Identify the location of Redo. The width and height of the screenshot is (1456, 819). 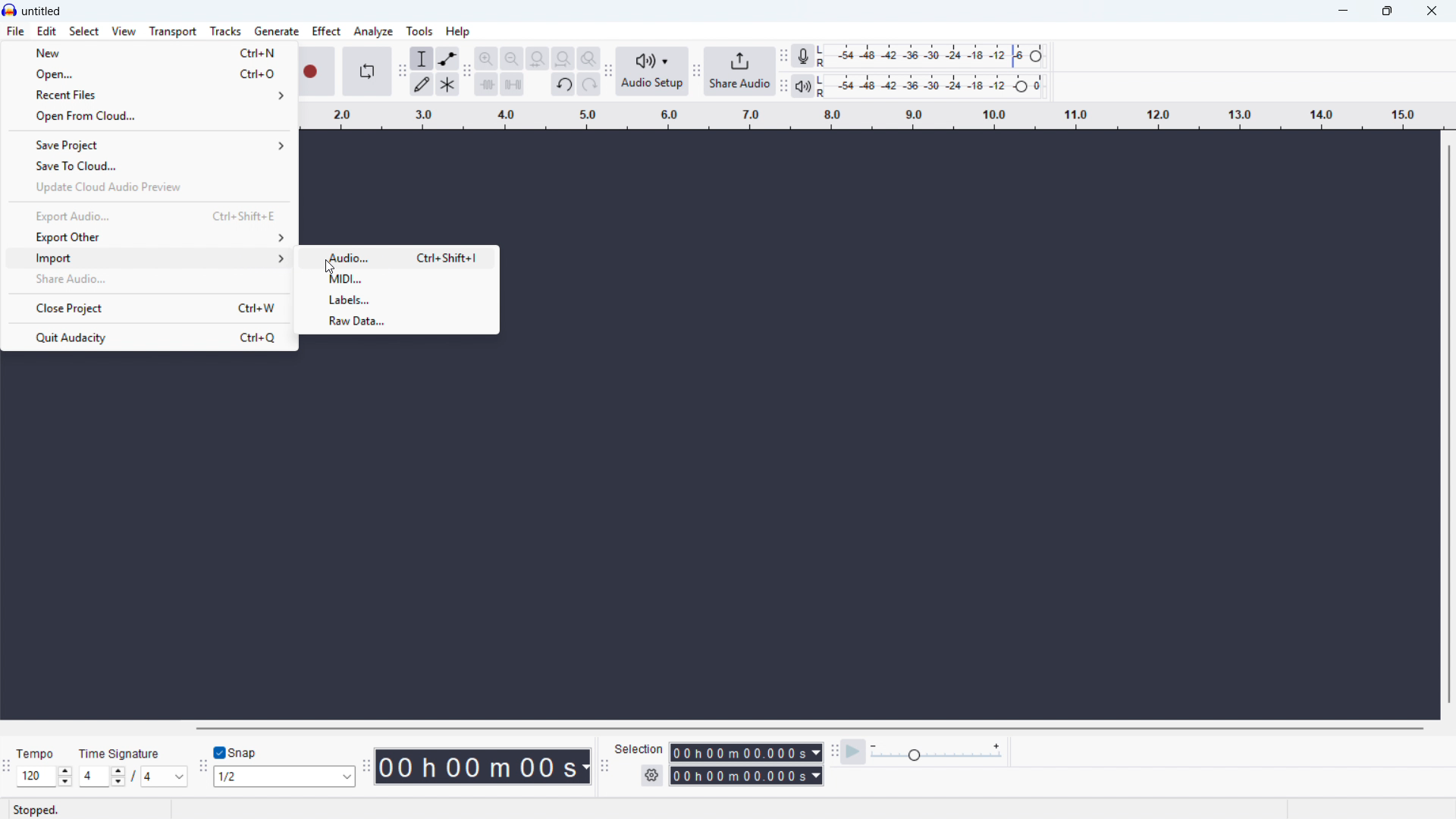
(589, 85).